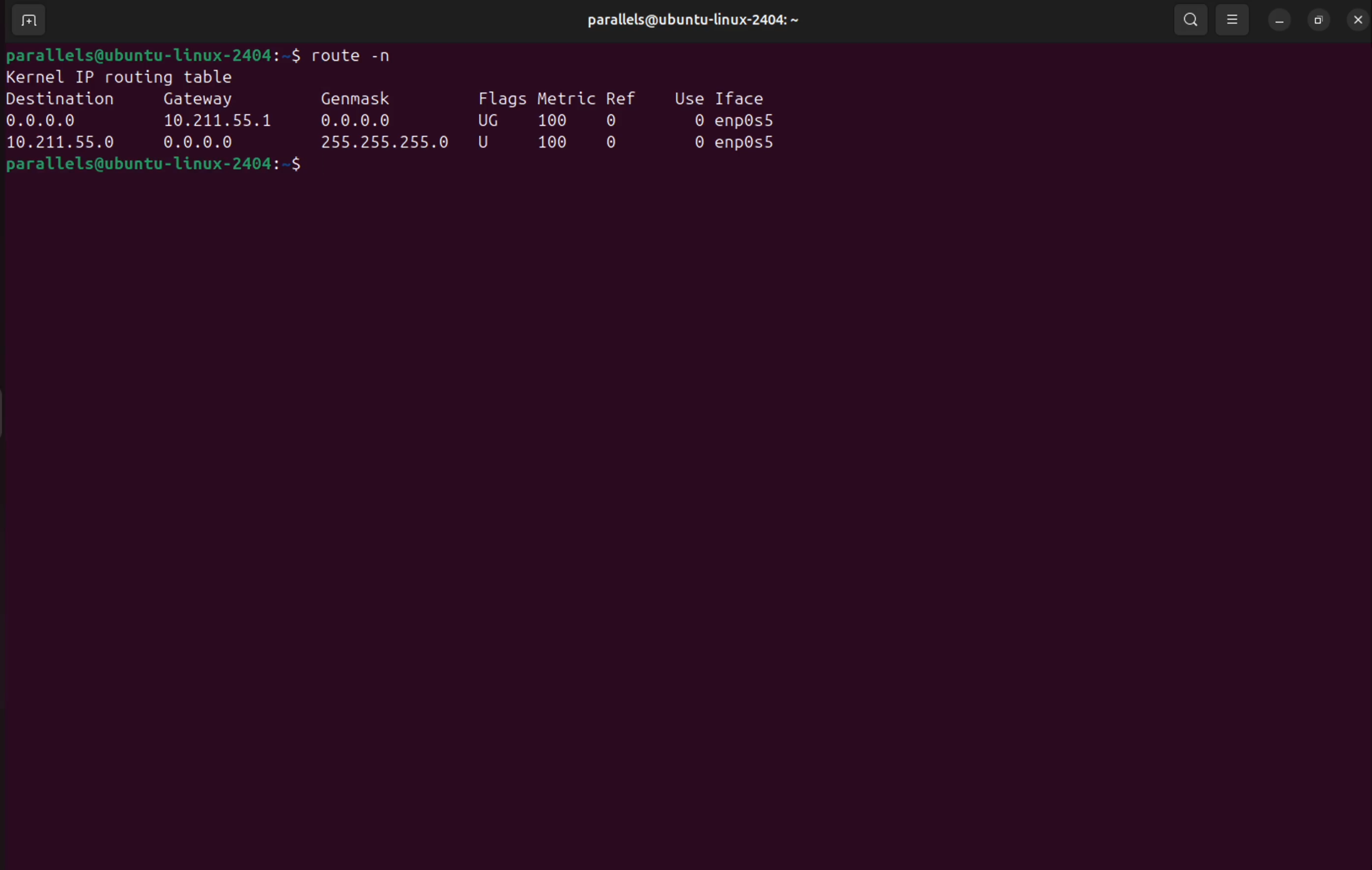 The height and width of the screenshot is (870, 1372). What do you see at coordinates (360, 97) in the screenshot?
I see `genmask` at bounding box center [360, 97].